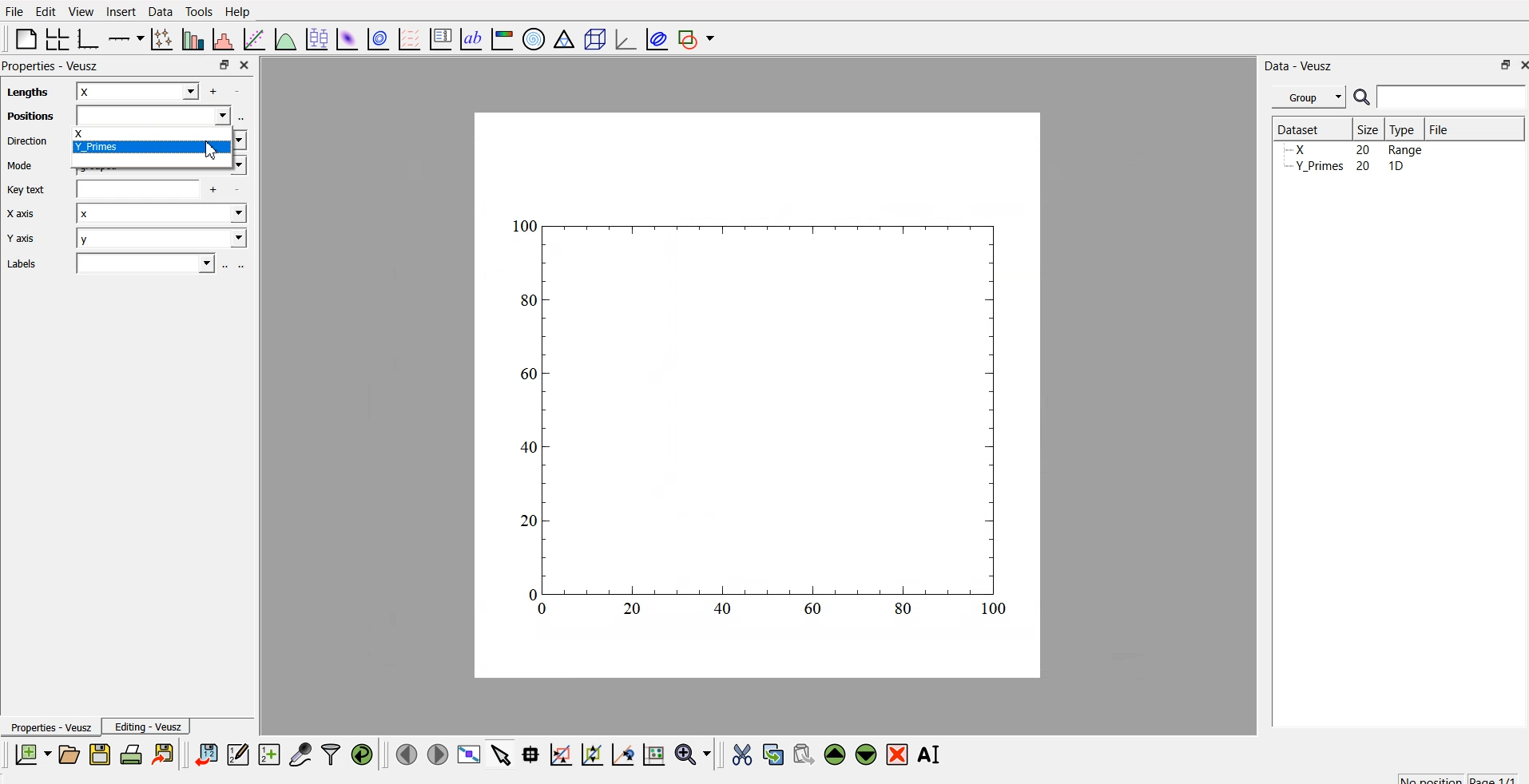  Describe the element at coordinates (1438, 127) in the screenshot. I see `File` at that location.